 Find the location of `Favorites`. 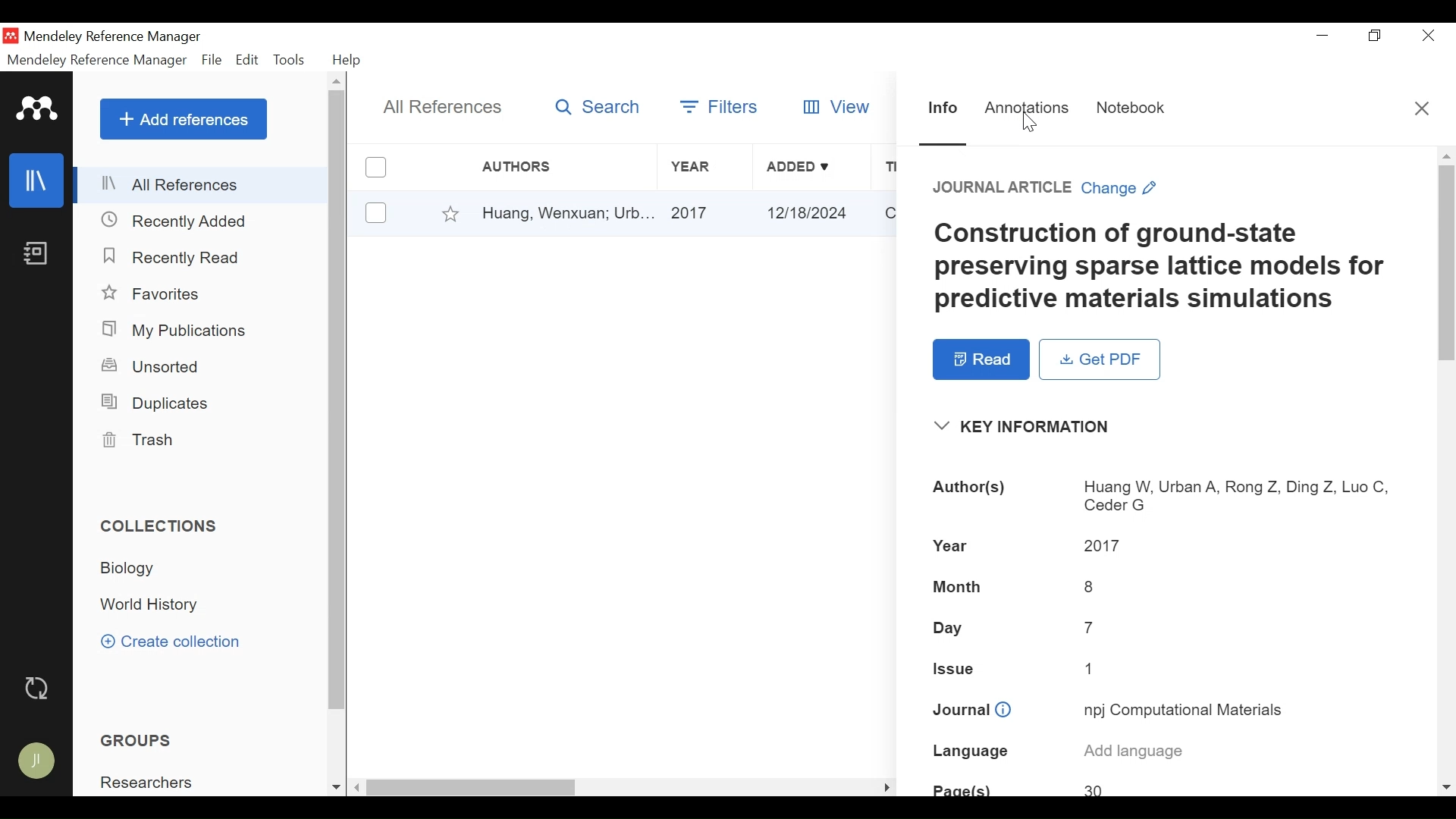

Favorites is located at coordinates (452, 214).